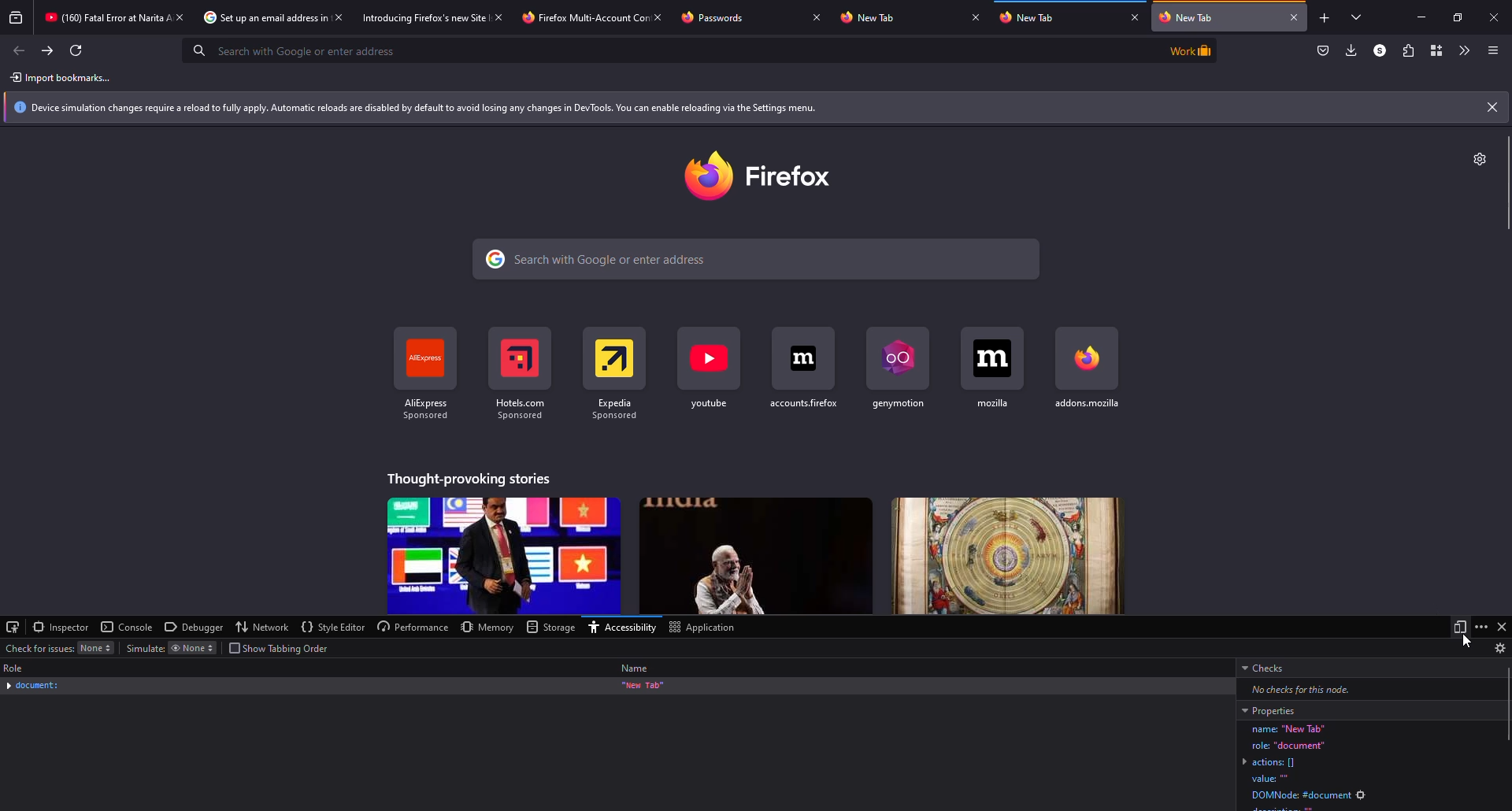 The image size is (1512, 811). Describe the element at coordinates (181, 17) in the screenshot. I see `close` at that location.